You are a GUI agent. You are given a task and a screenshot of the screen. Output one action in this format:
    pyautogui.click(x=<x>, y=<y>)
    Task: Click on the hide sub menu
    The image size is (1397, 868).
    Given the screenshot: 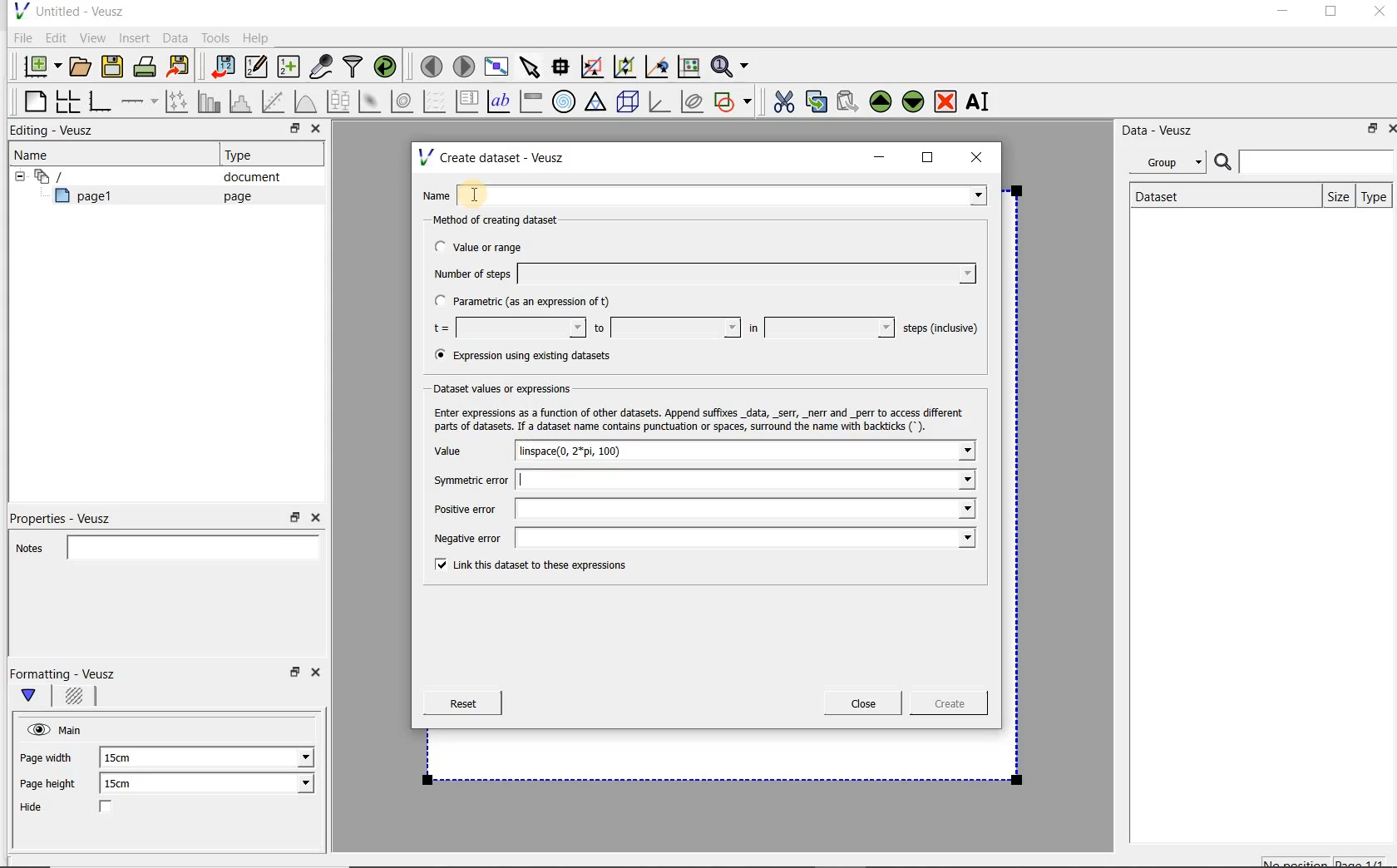 What is the action you would take?
    pyautogui.click(x=16, y=175)
    